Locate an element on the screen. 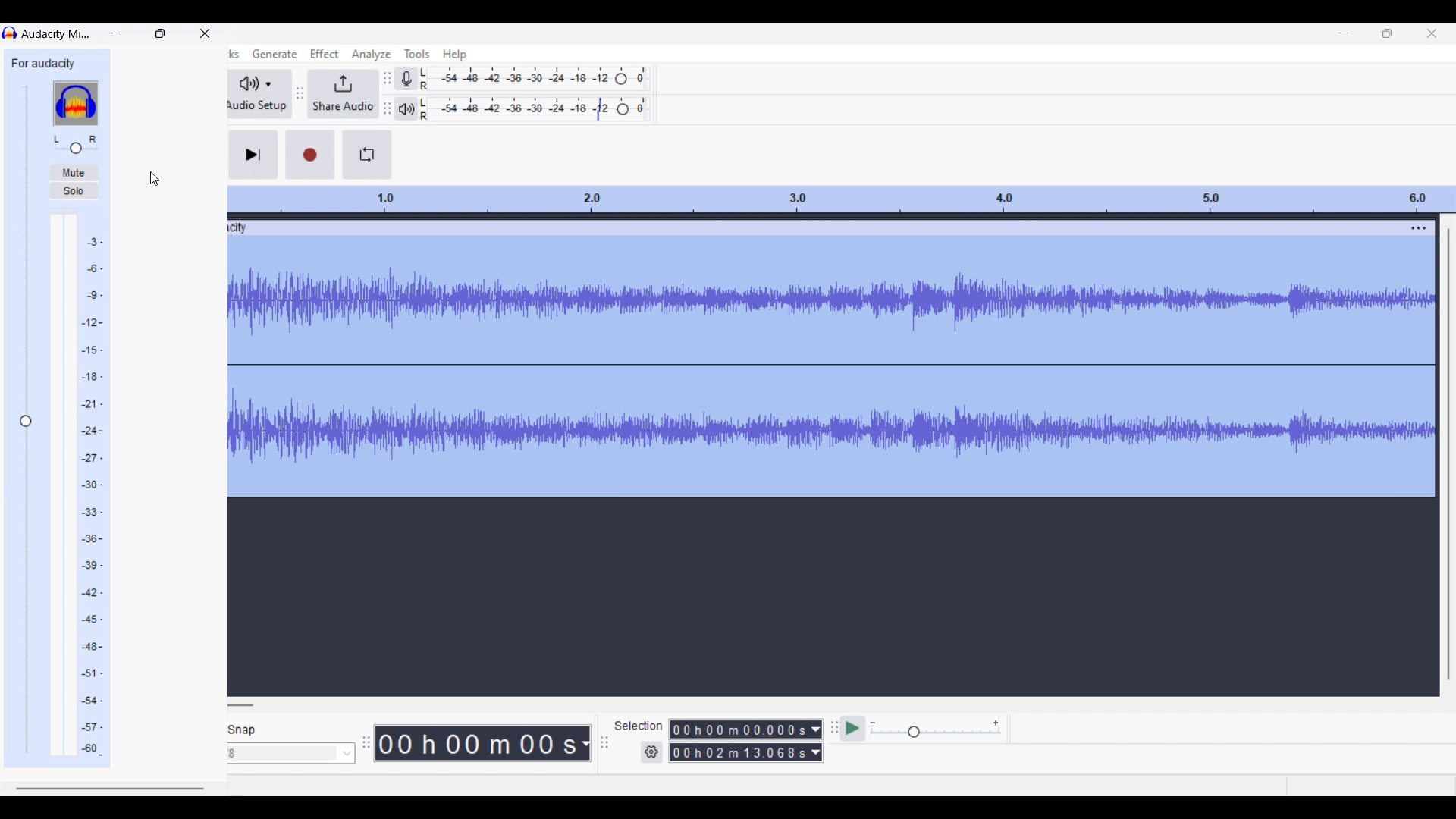 Image resolution: width=1456 pixels, height=819 pixels. Software logo is located at coordinates (76, 104).